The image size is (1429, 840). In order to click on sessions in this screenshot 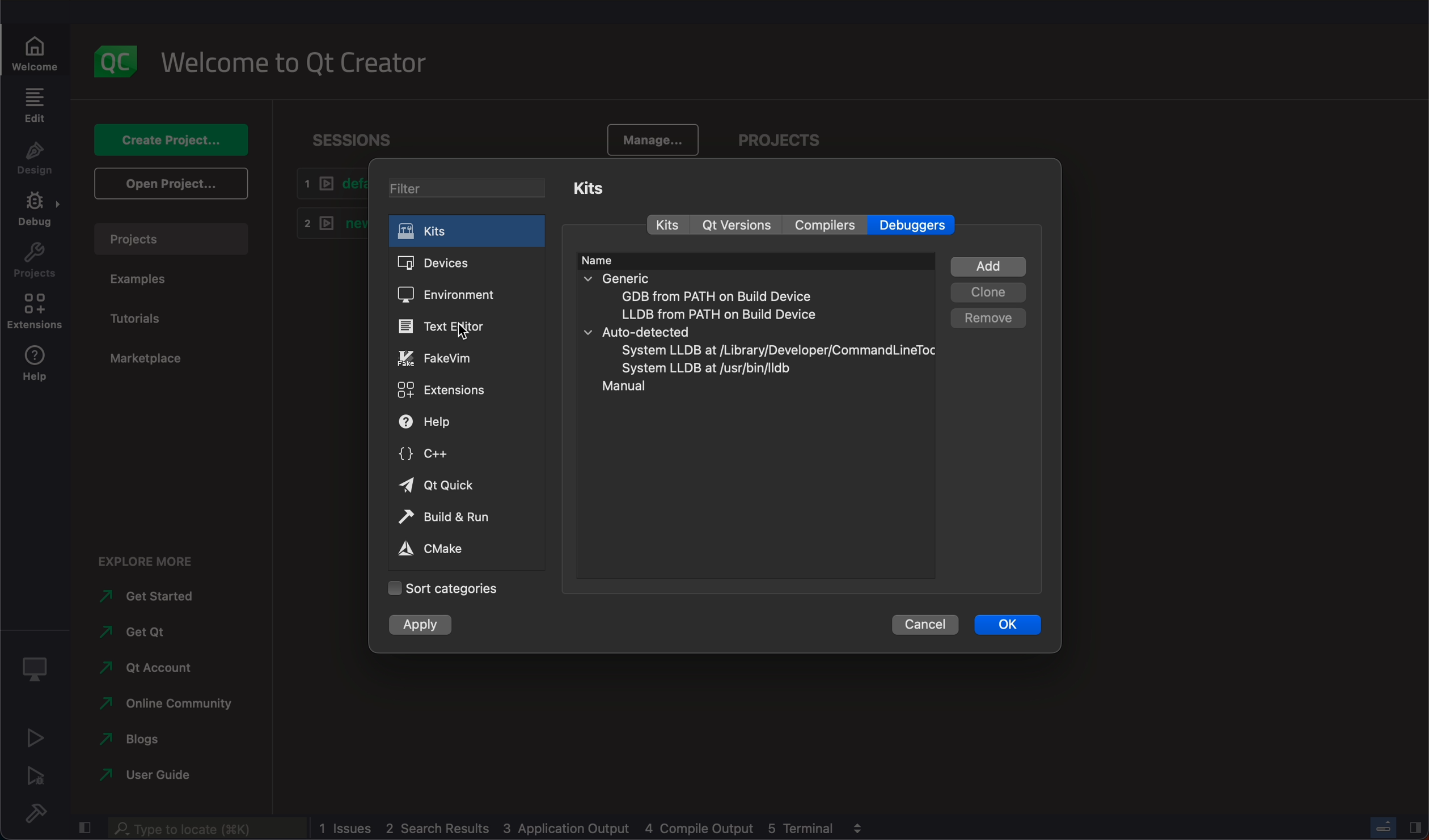, I will do `click(356, 136)`.